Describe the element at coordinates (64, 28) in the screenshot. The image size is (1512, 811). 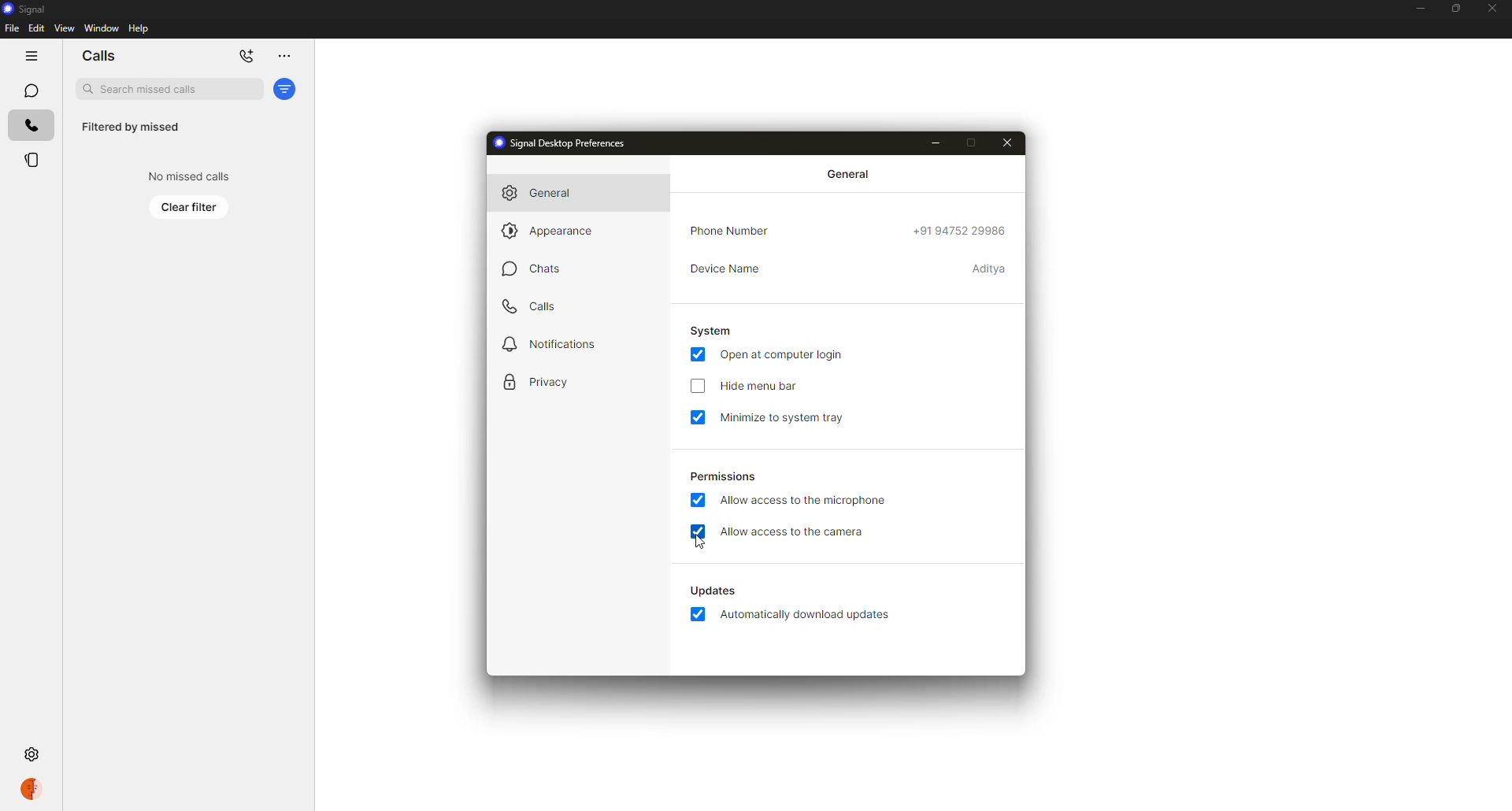
I see `view` at that location.